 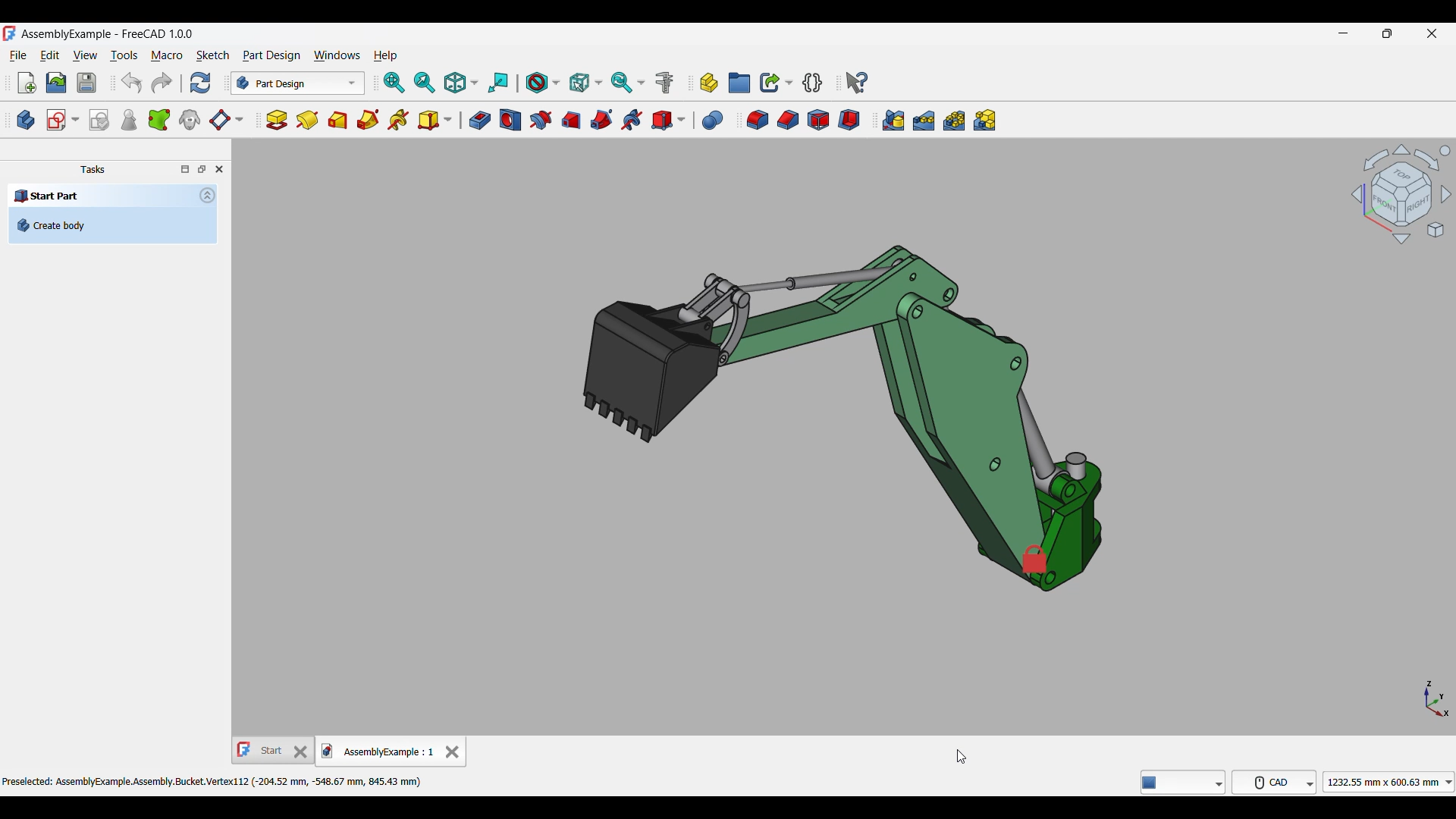 What do you see at coordinates (199, 83) in the screenshot?
I see `Refresh` at bounding box center [199, 83].